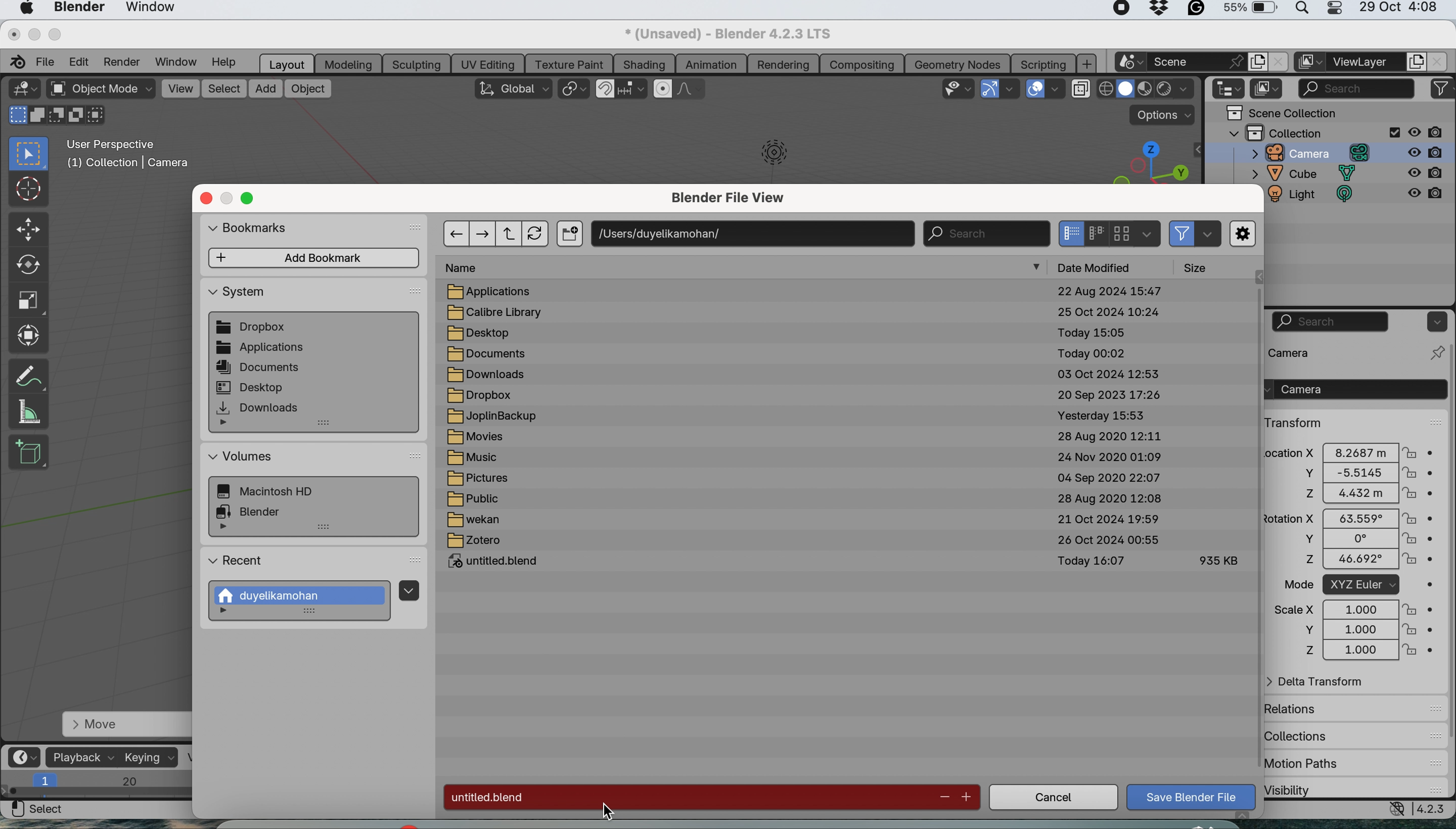  What do you see at coordinates (498, 313) in the screenshot?
I see `calibre library` at bounding box center [498, 313].